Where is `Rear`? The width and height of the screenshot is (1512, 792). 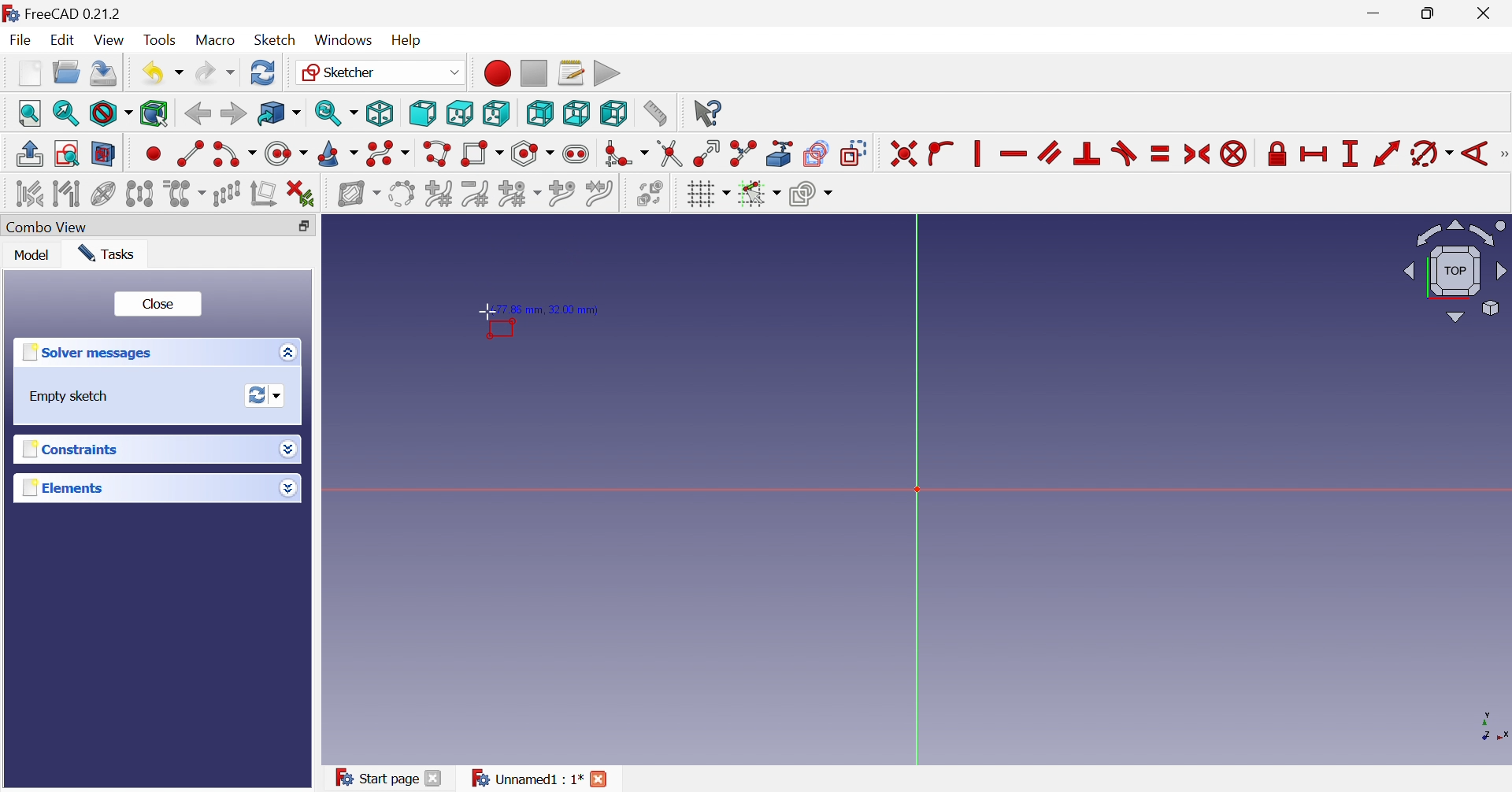 Rear is located at coordinates (539, 113).